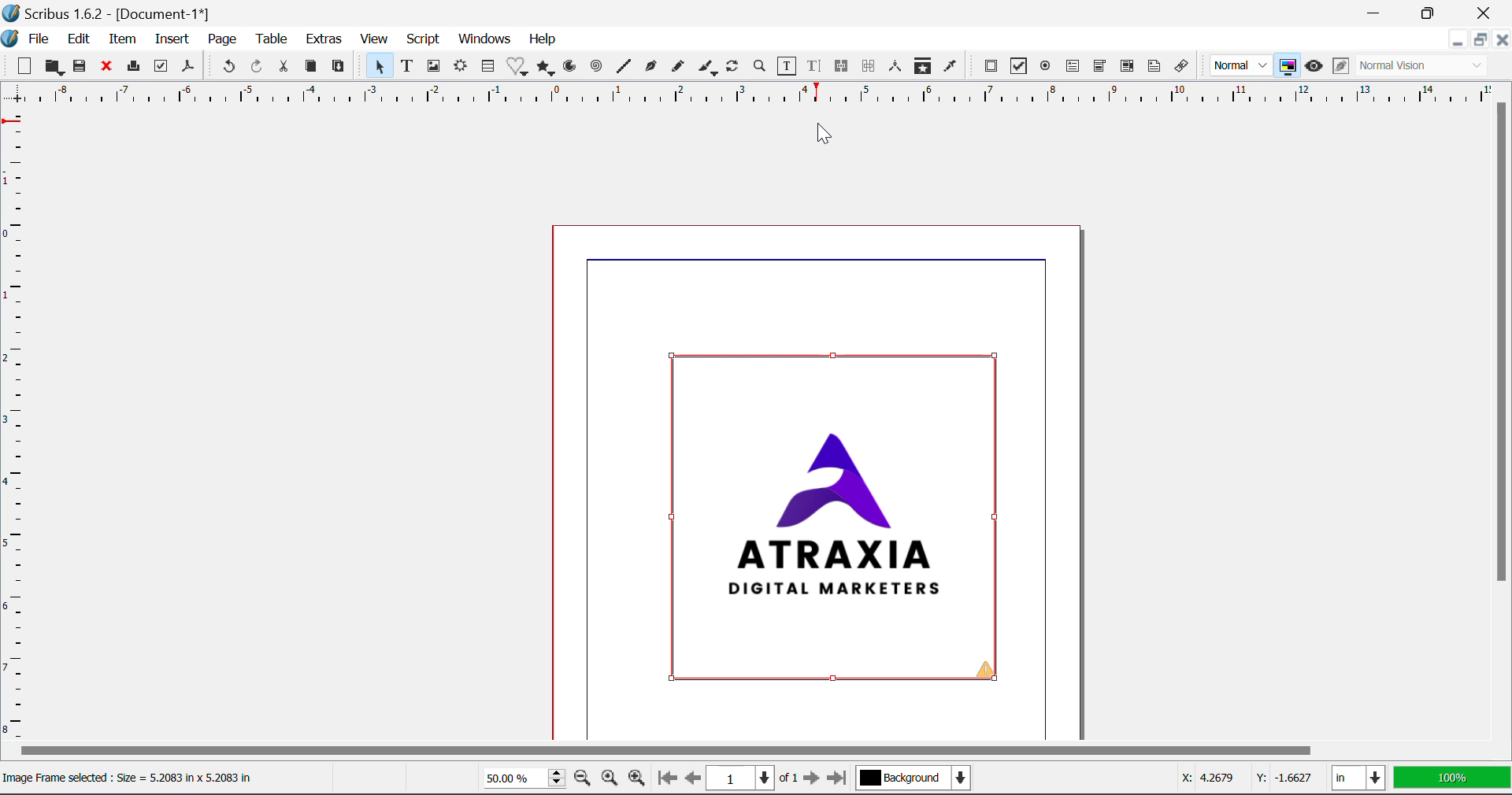 Image resolution: width=1512 pixels, height=795 pixels. What do you see at coordinates (190, 66) in the screenshot?
I see `Save as Pdf` at bounding box center [190, 66].